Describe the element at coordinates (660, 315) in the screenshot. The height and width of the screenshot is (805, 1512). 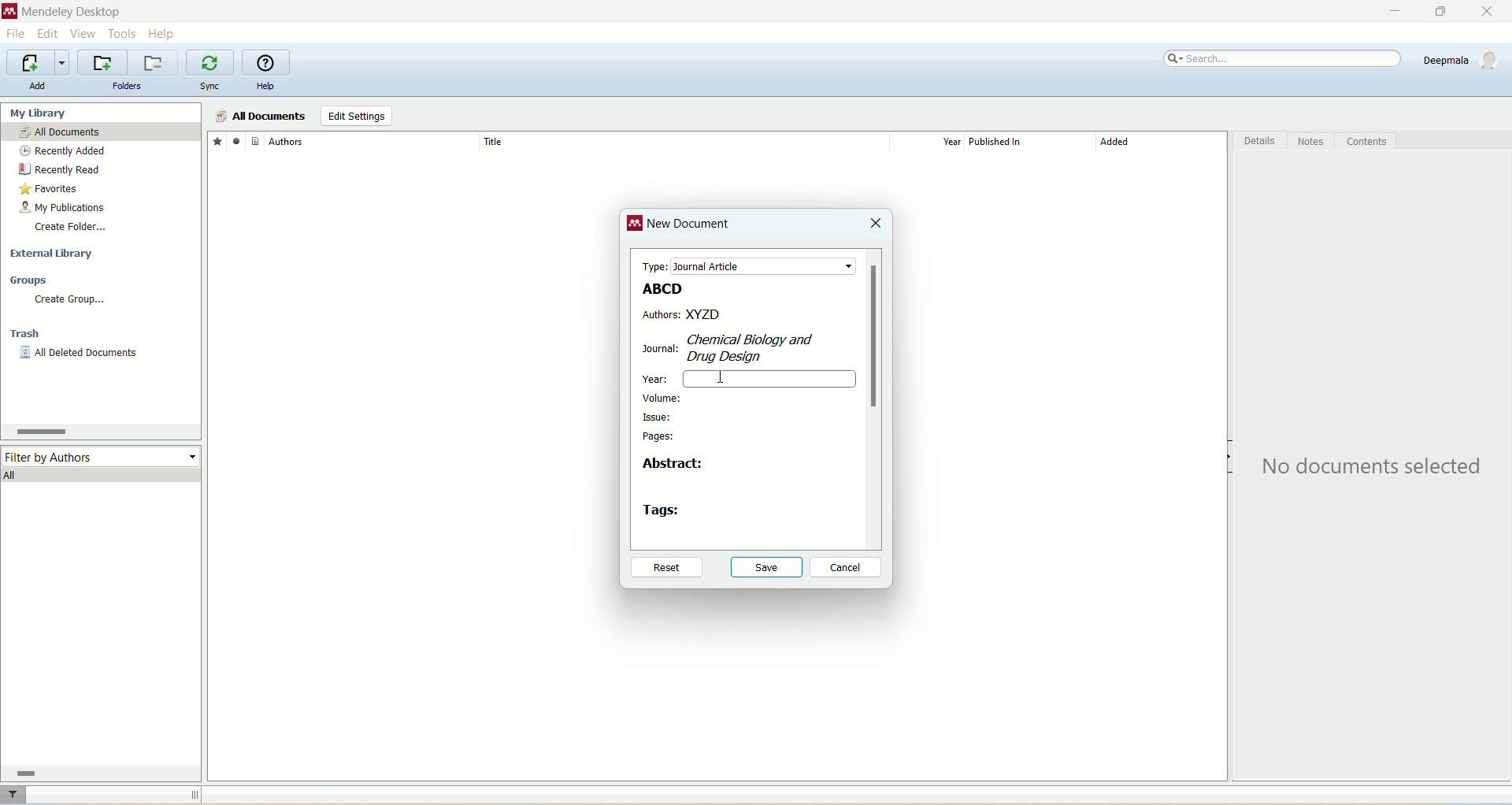
I see `authors` at that location.